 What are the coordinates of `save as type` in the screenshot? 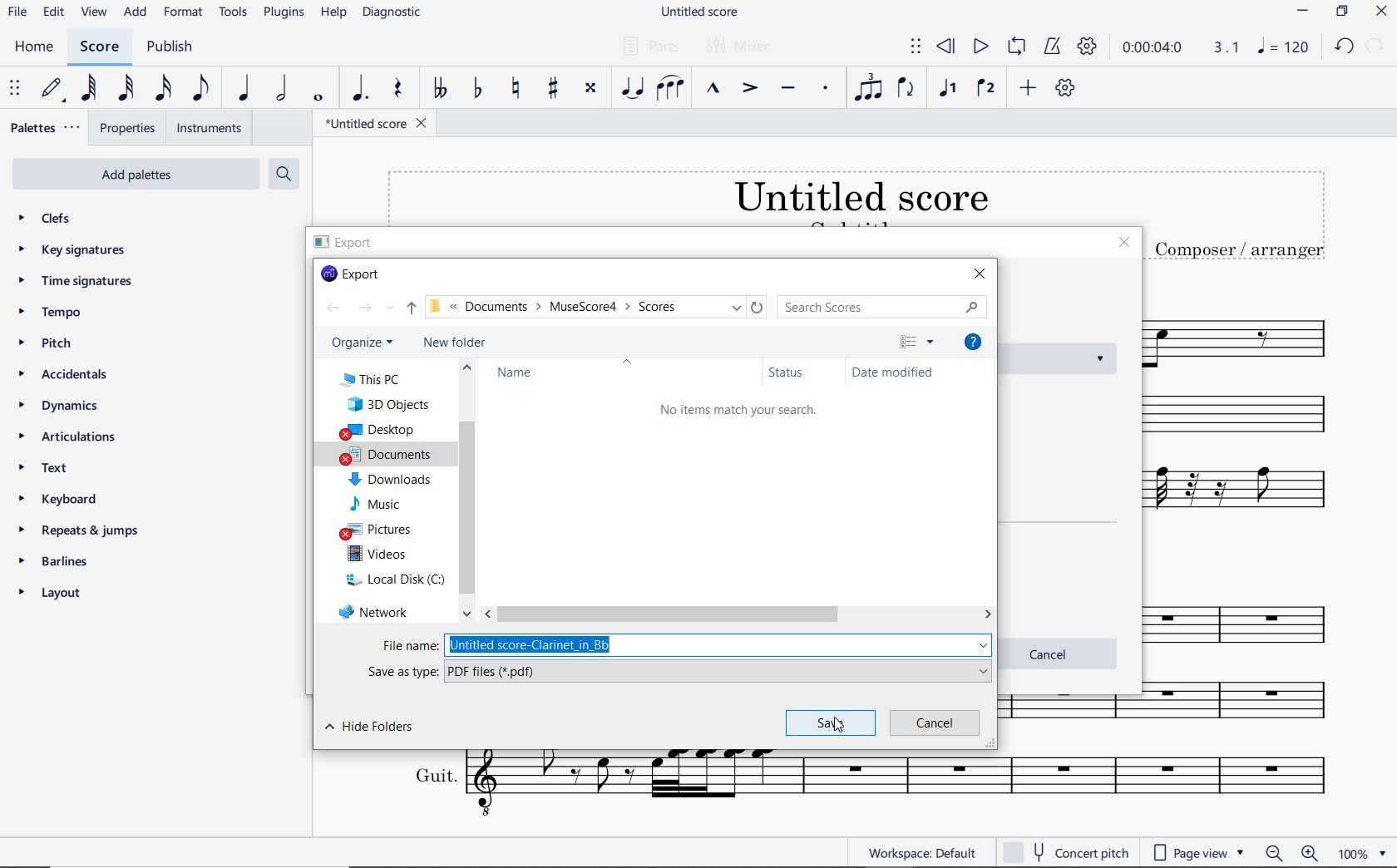 It's located at (679, 672).